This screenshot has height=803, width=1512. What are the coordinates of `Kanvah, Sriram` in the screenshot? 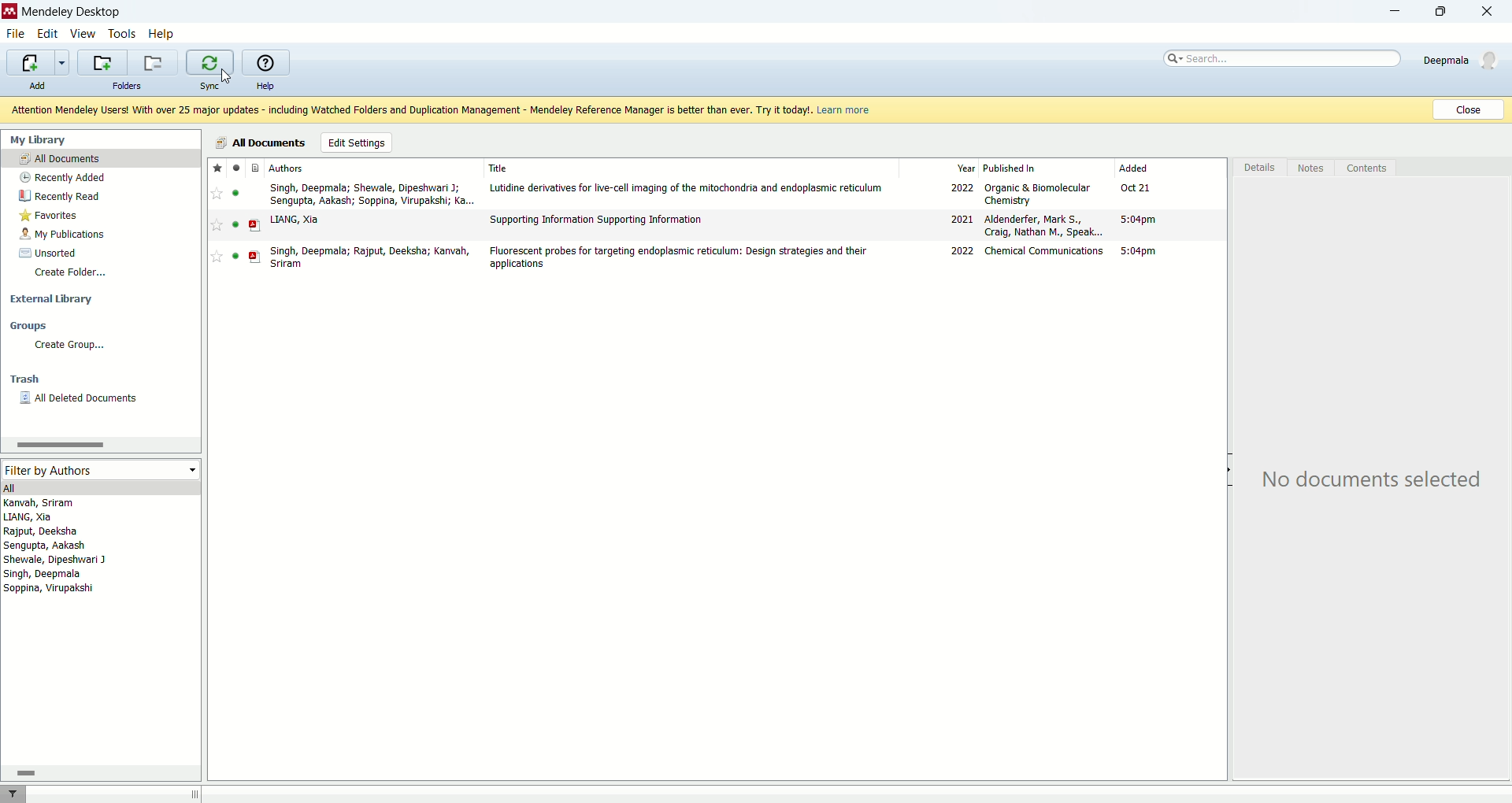 It's located at (39, 503).